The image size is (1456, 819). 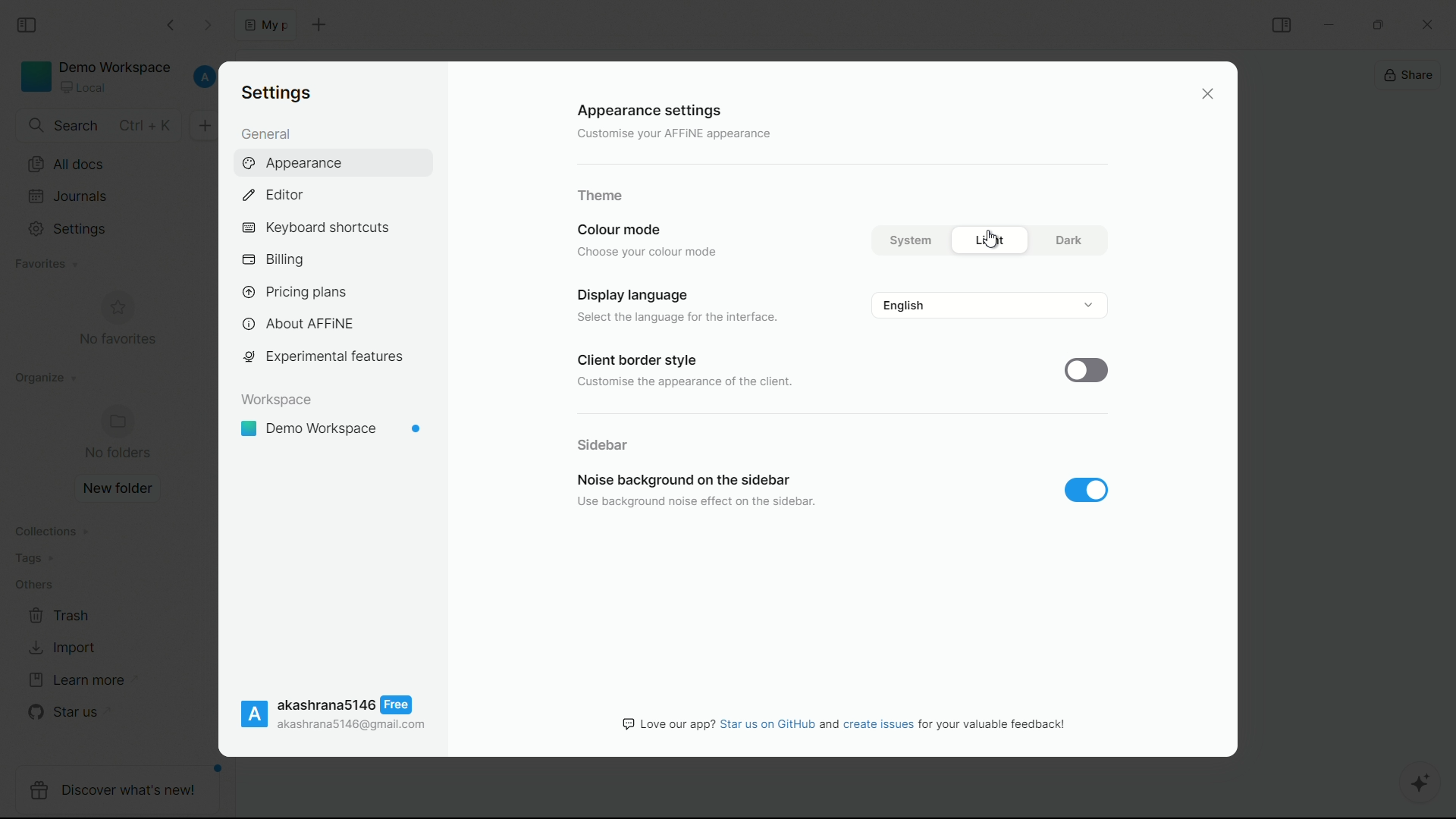 What do you see at coordinates (1282, 24) in the screenshot?
I see `toggle sidebar` at bounding box center [1282, 24].